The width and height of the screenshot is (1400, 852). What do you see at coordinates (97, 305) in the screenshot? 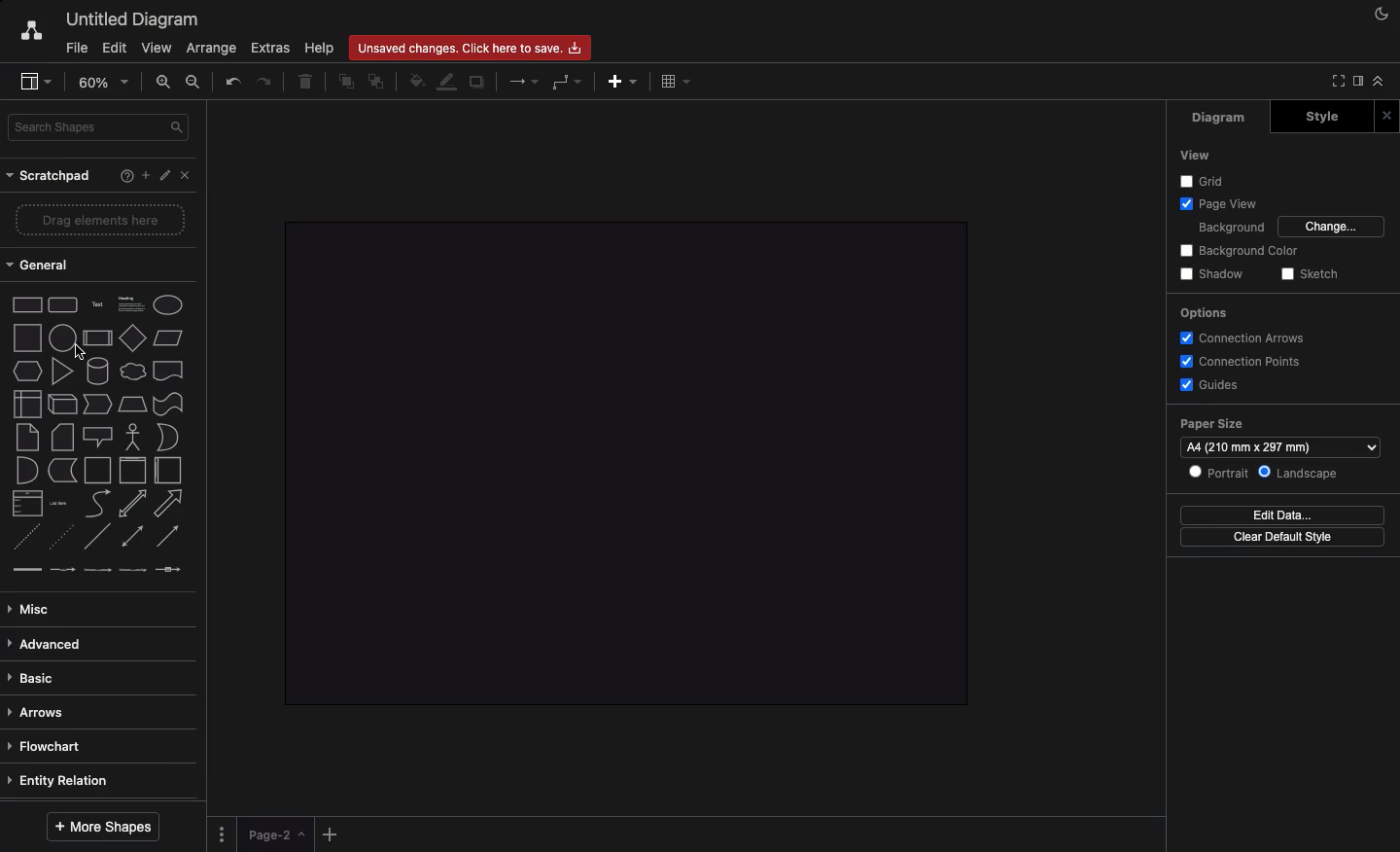
I see `Shapes` at bounding box center [97, 305].